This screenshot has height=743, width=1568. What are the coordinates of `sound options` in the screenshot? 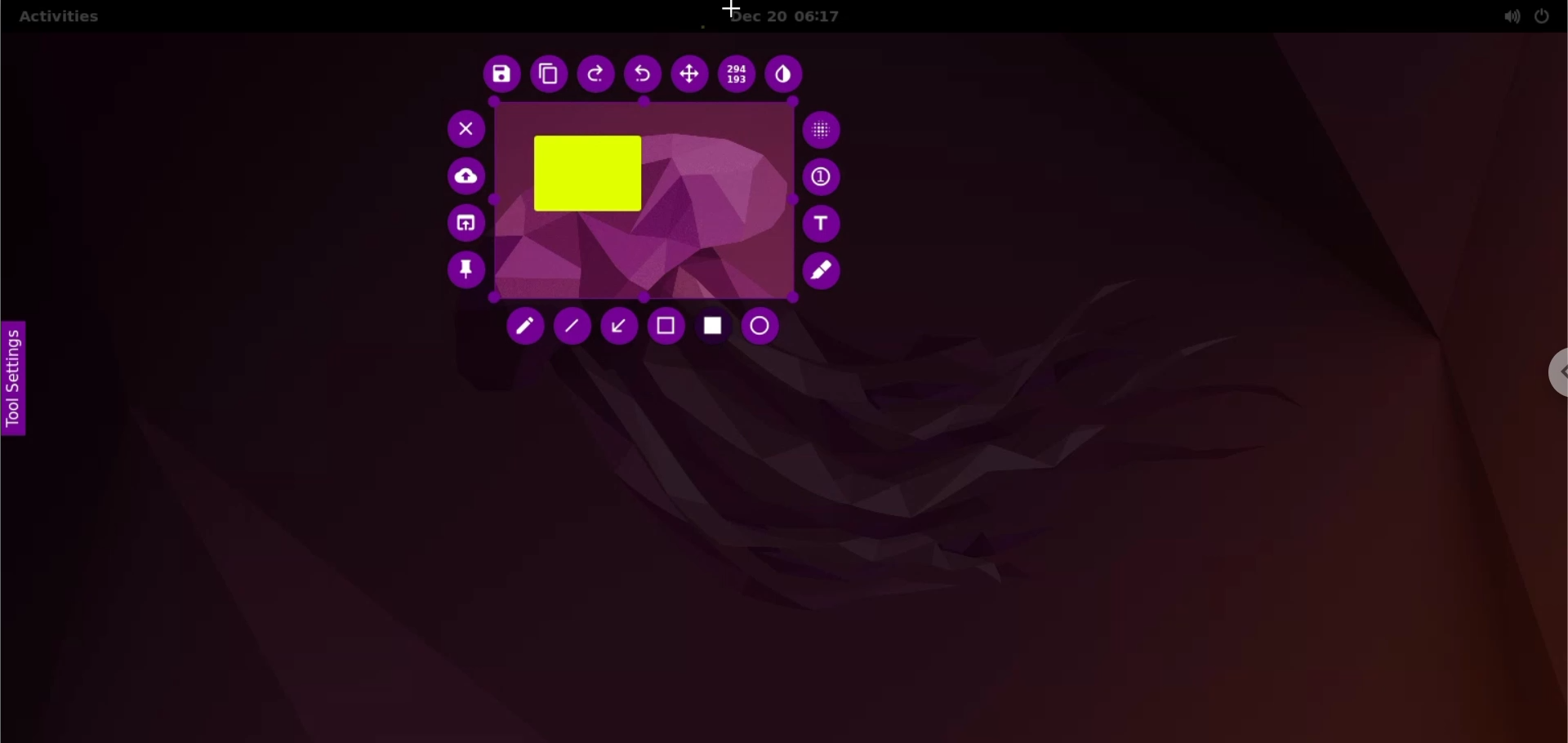 It's located at (1508, 16).